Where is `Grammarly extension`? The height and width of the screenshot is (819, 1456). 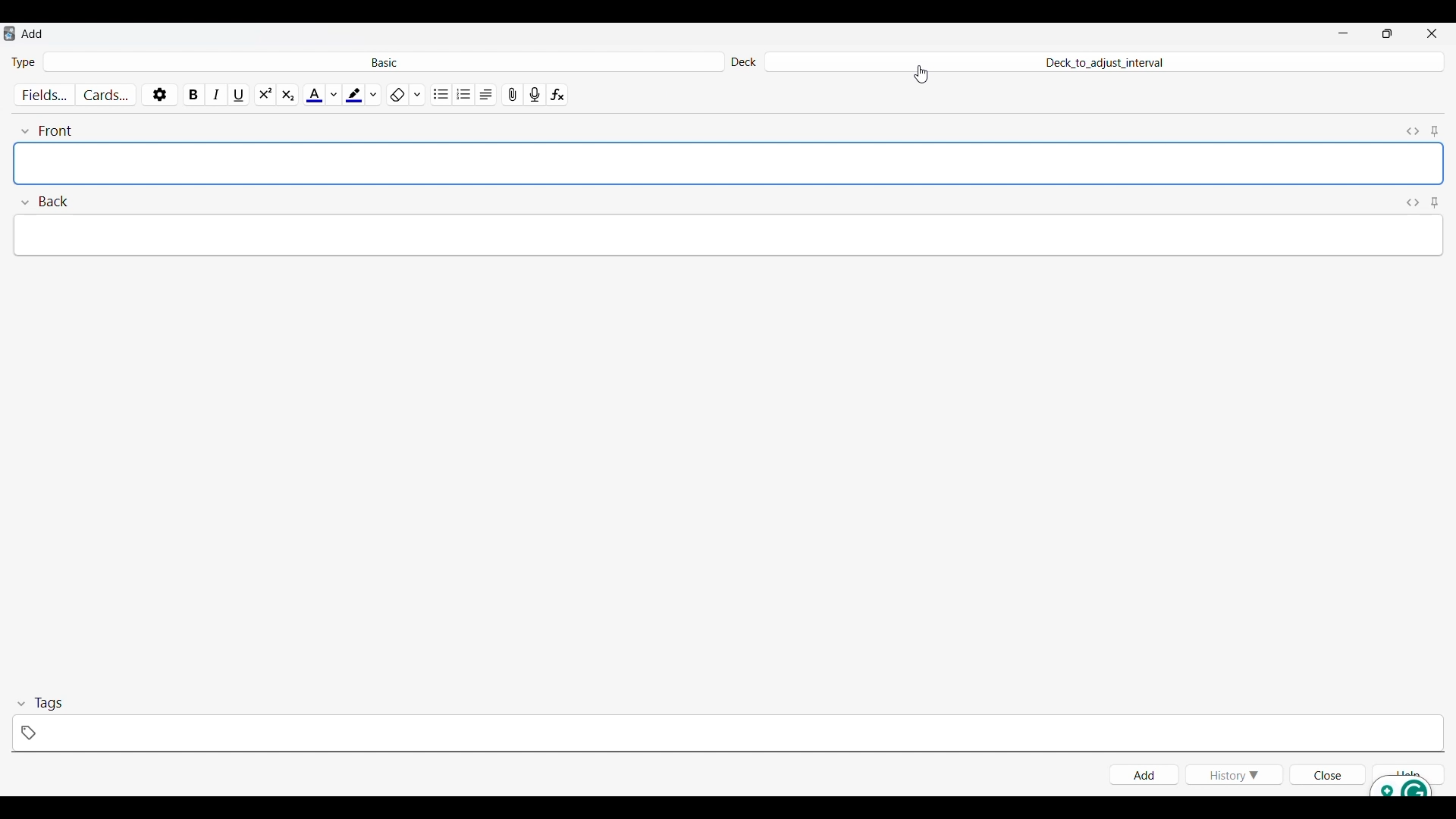
Grammarly extension is located at coordinates (1401, 786).